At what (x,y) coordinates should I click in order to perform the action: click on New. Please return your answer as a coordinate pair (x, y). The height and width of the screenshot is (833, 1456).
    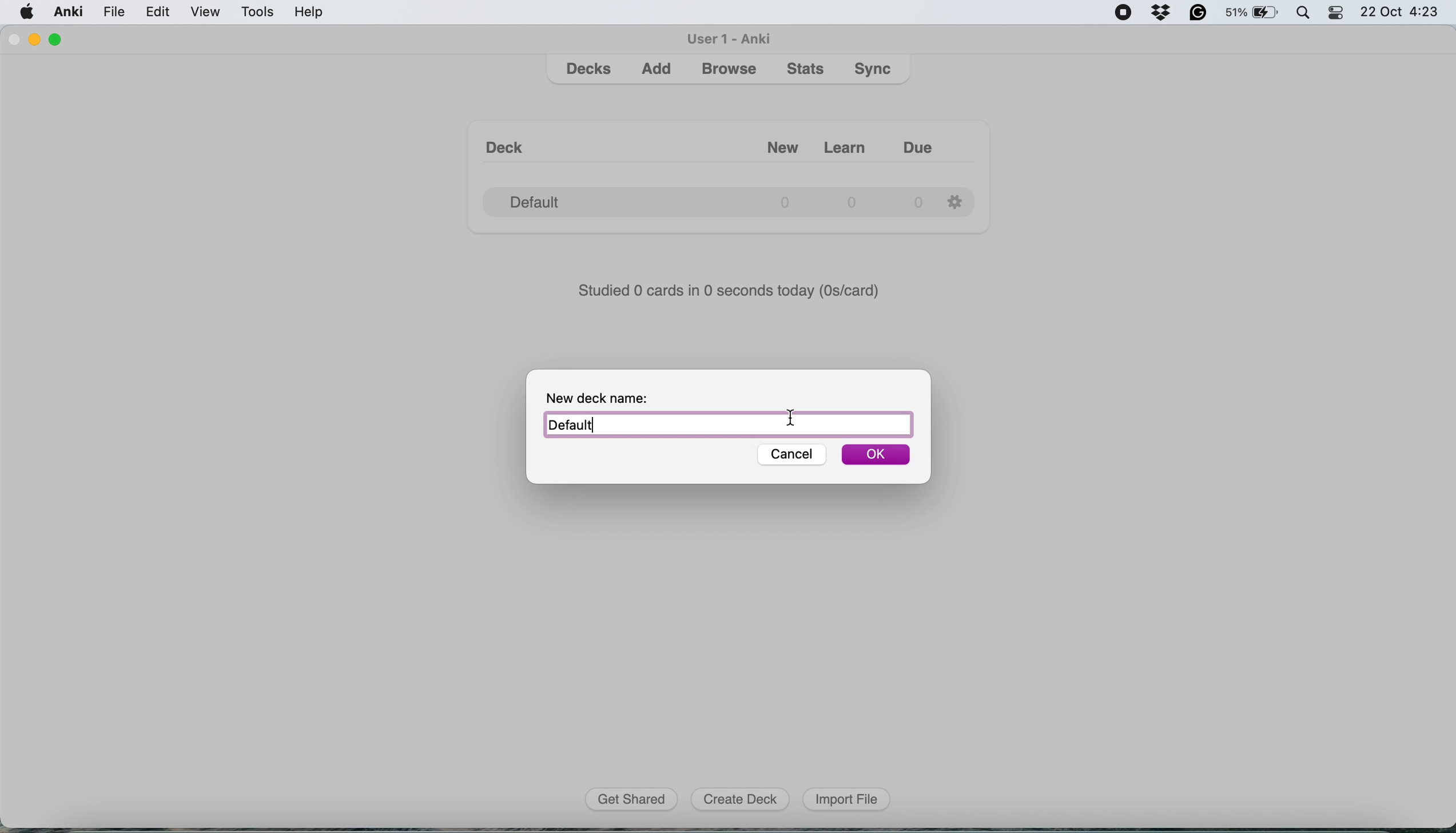
    Looking at the image, I should click on (769, 142).